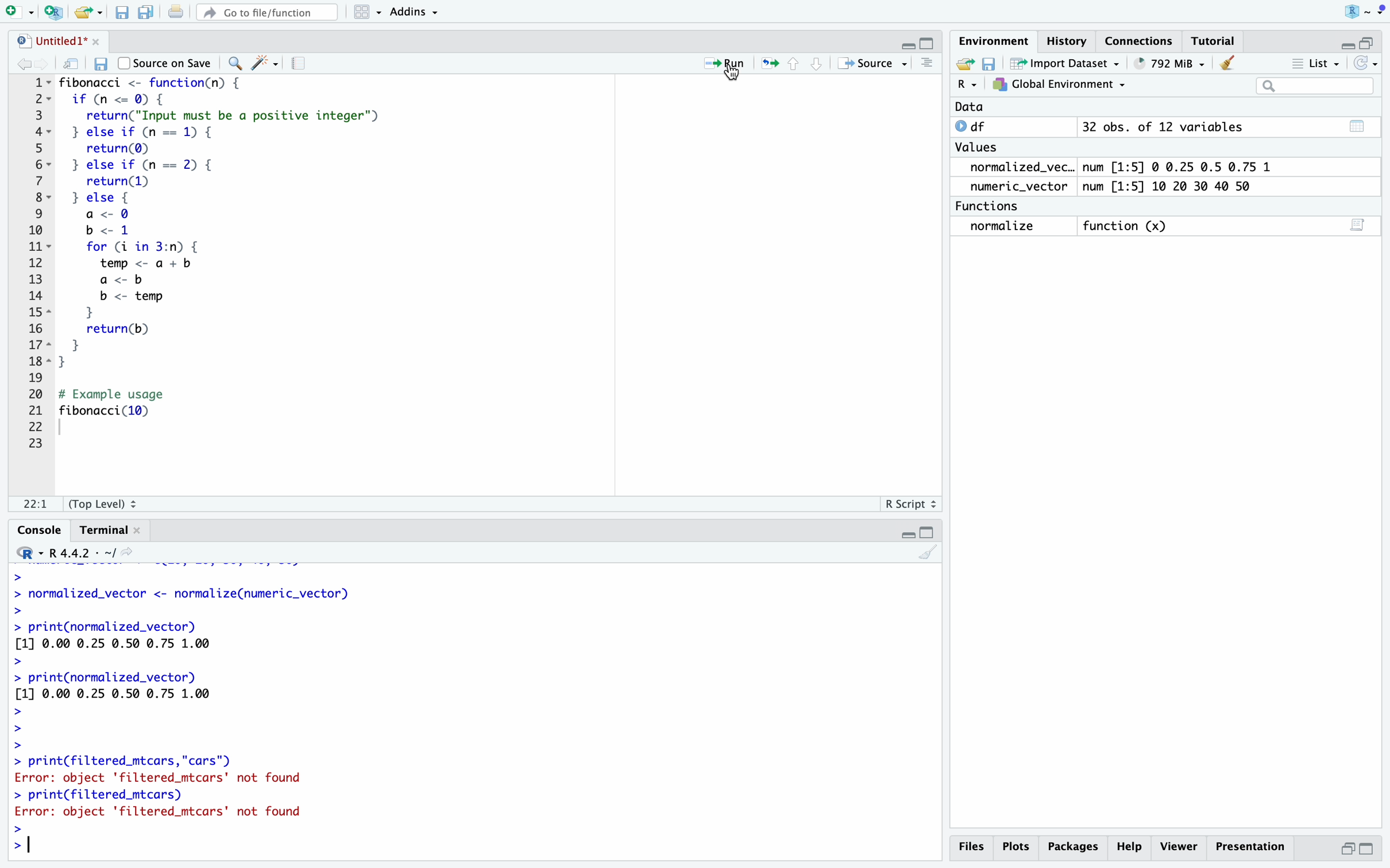 Image resolution: width=1390 pixels, height=868 pixels. I want to click on serial numbers, so click(32, 266).